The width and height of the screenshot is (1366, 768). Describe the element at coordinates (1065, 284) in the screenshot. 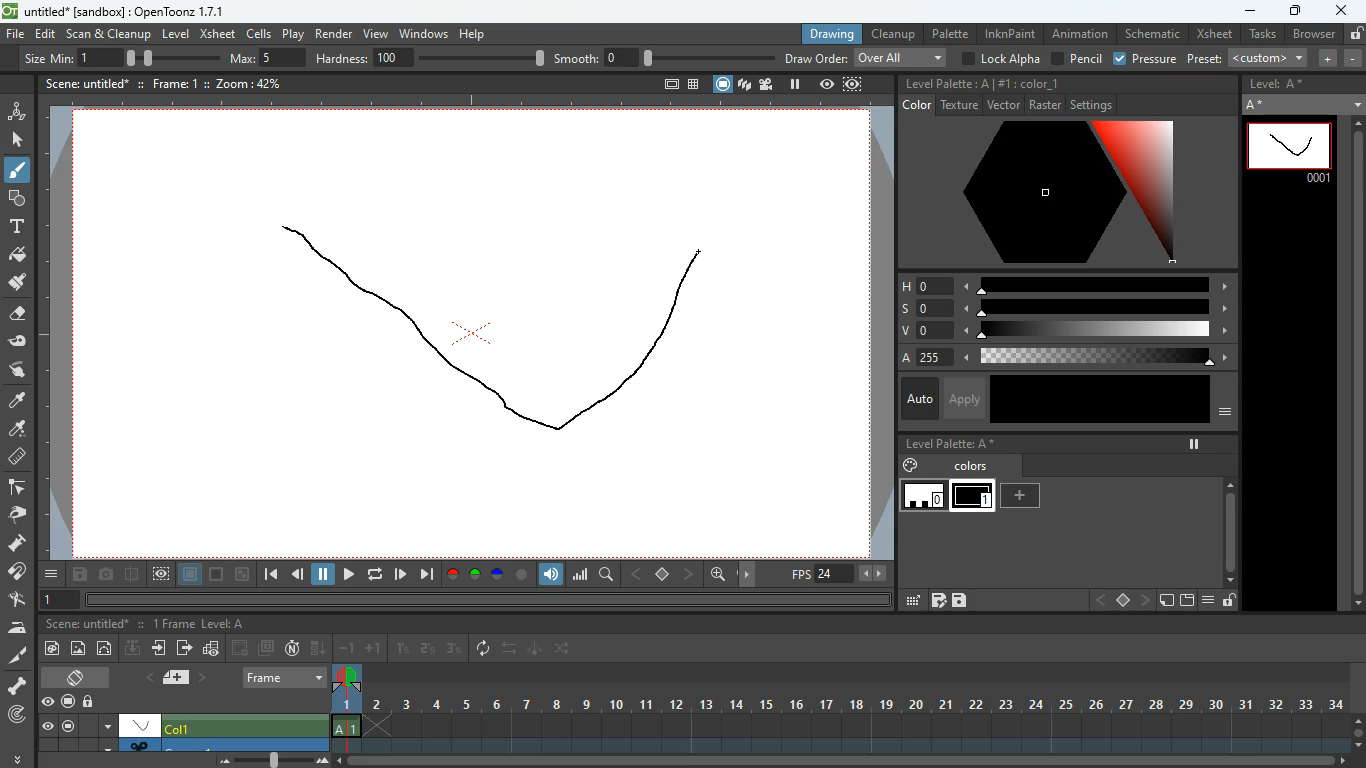

I see `h` at that location.